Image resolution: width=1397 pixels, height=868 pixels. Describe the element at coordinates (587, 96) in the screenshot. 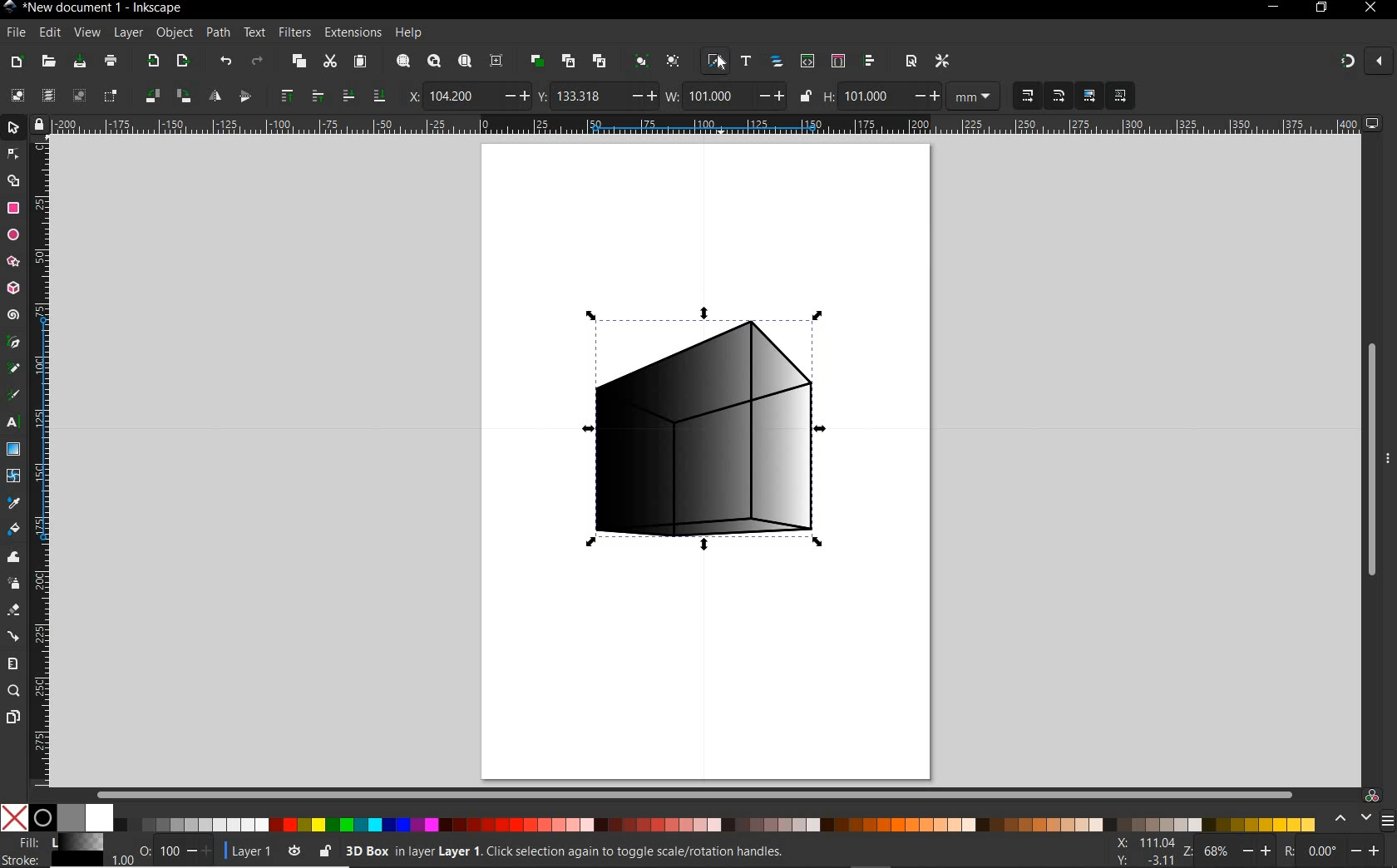

I see `133` at that location.